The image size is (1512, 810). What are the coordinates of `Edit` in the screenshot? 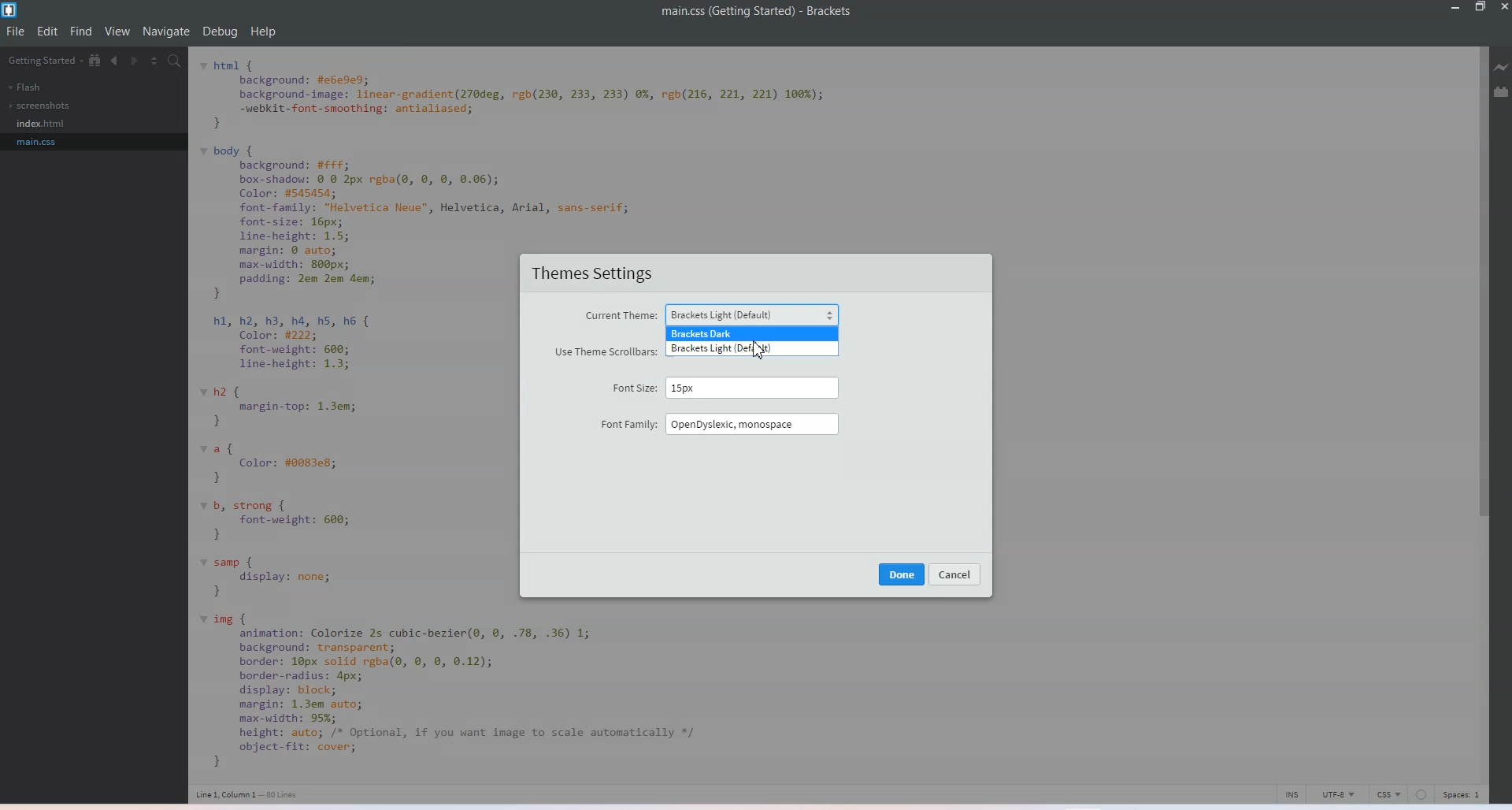 It's located at (48, 32).